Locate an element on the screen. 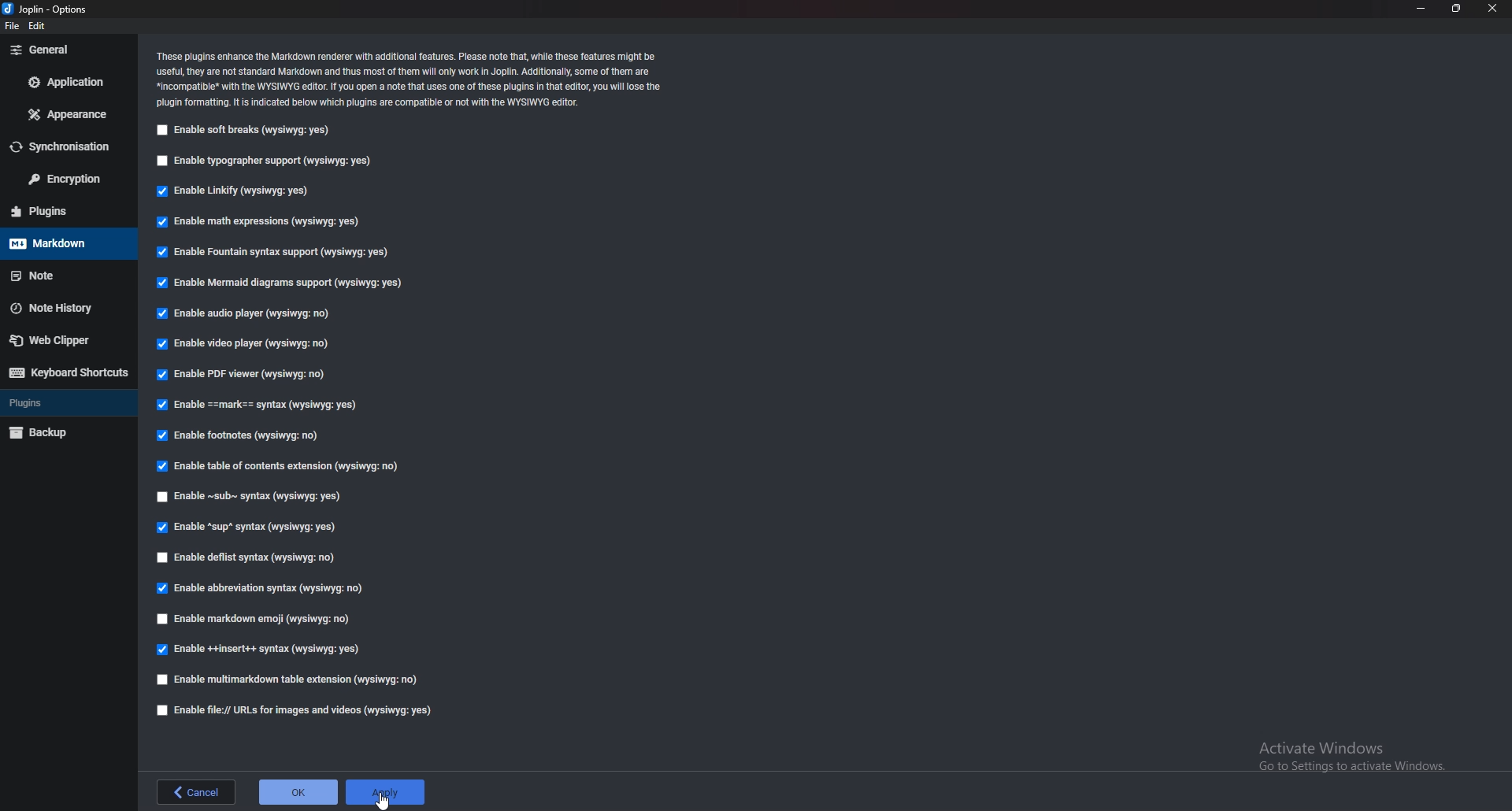  minimize is located at coordinates (1422, 8).